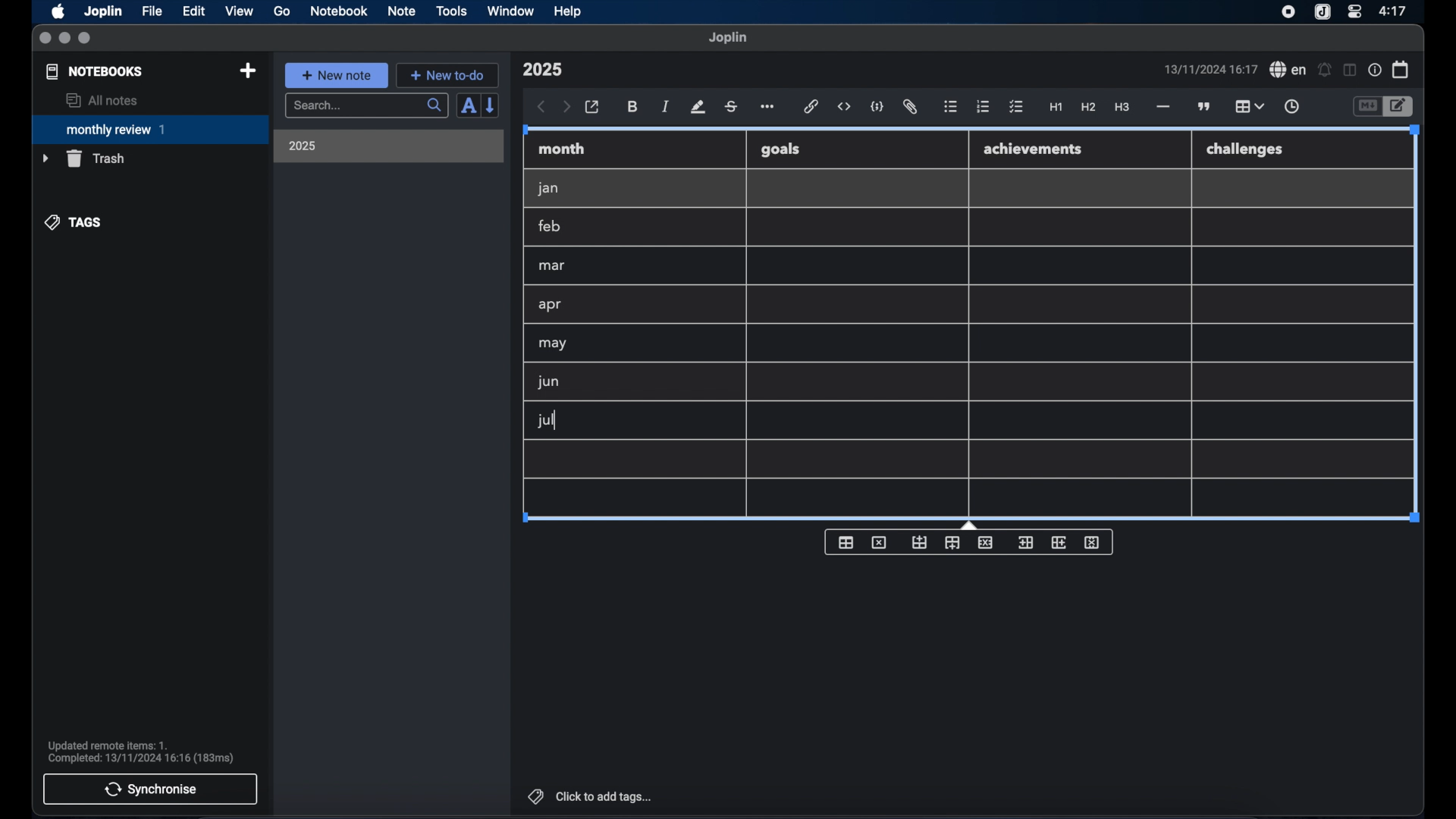 Image resolution: width=1456 pixels, height=819 pixels. Describe the element at coordinates (1205, 107) in the screenshot. I see `block quotes` at that location.